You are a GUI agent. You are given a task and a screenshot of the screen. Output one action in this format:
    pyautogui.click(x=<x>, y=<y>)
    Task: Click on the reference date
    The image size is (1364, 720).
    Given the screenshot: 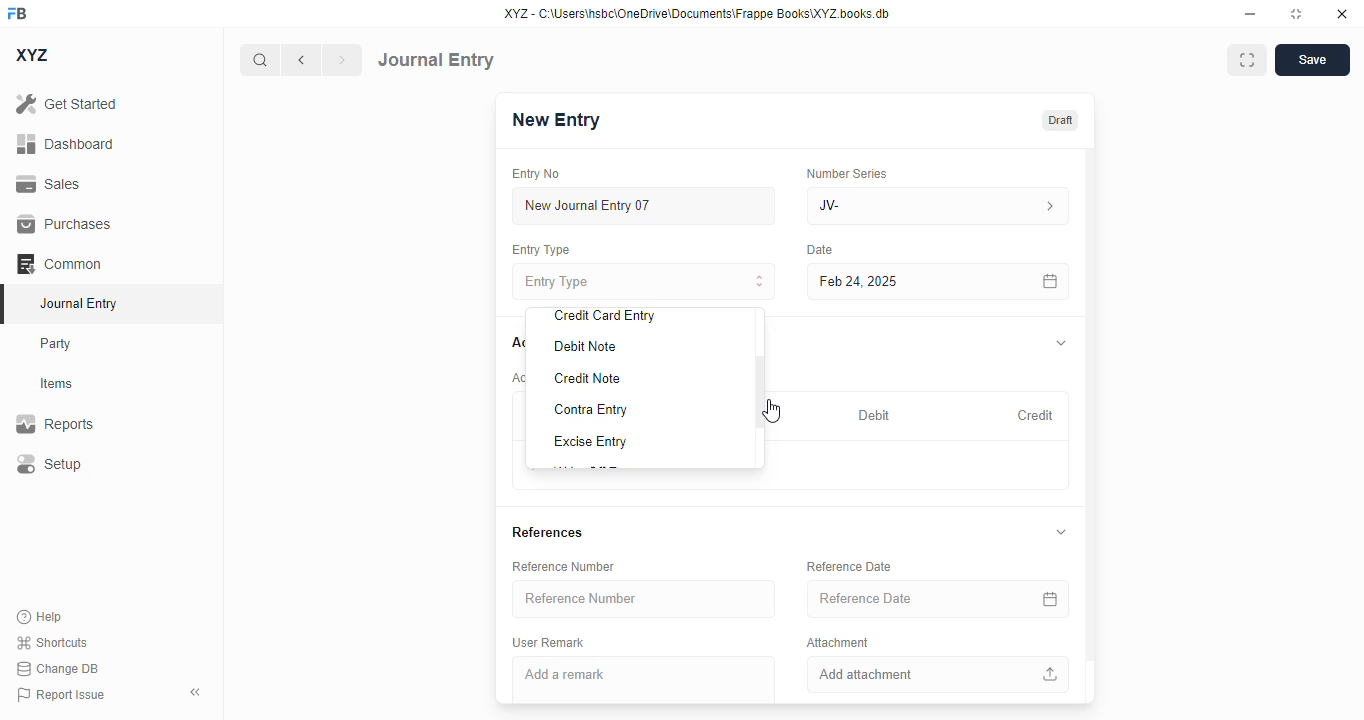 What is the action you would take?
    pyautogui.click(x=897, y=598)
    